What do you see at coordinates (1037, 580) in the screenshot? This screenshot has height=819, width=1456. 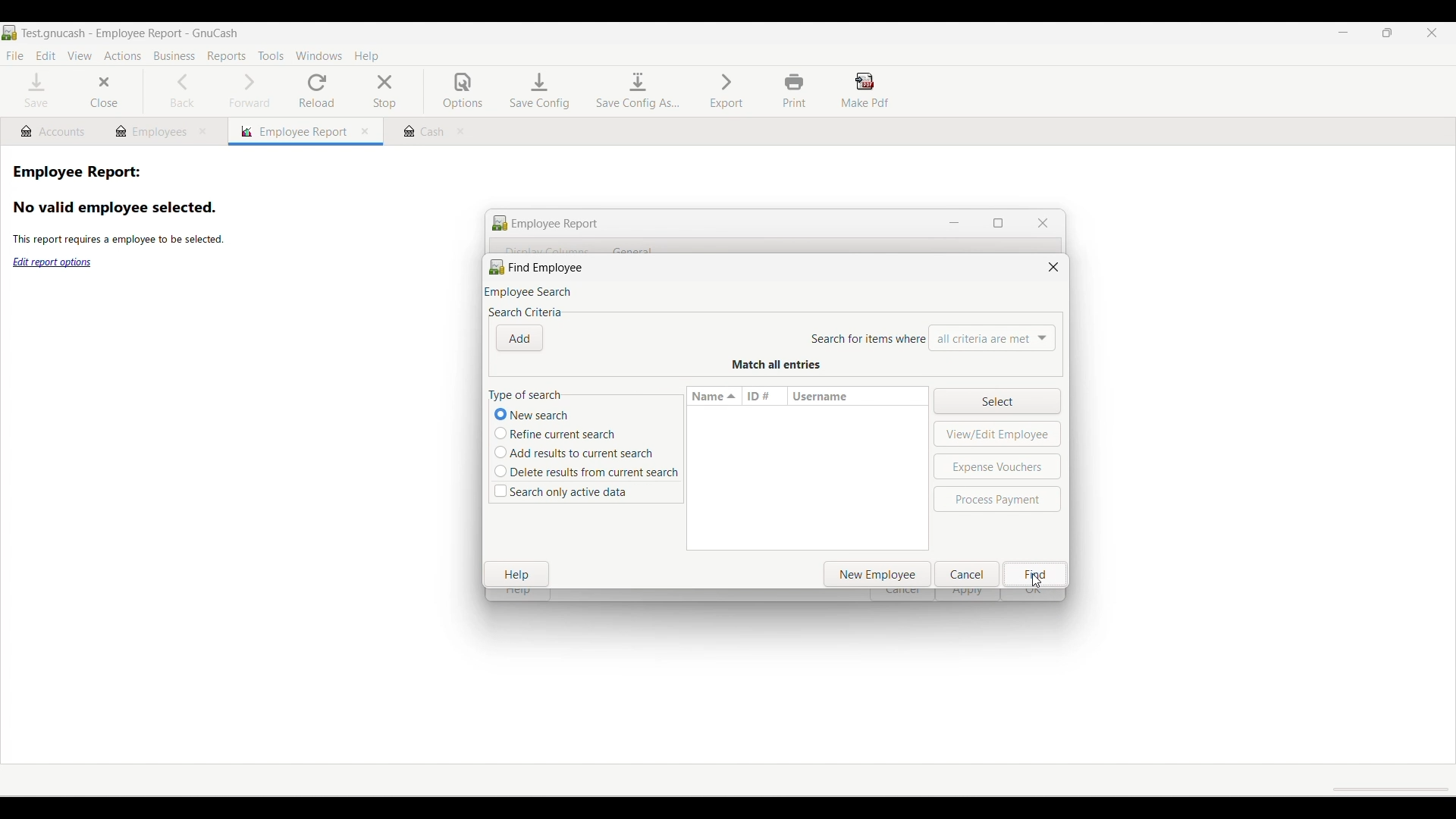 I see `Cursor clicking on find, again` at bounding box center [1037, 580].